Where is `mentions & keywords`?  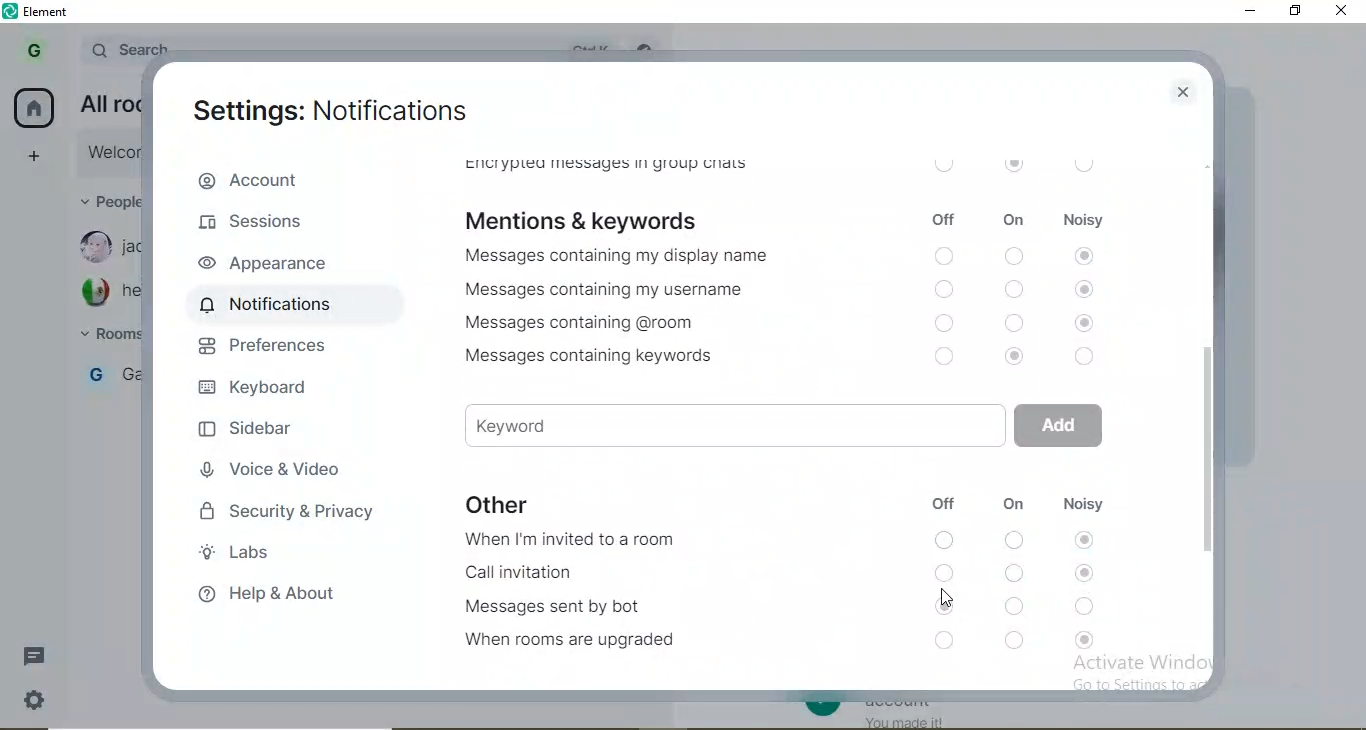
mentions & keywords is located at coordinates (580, 216).